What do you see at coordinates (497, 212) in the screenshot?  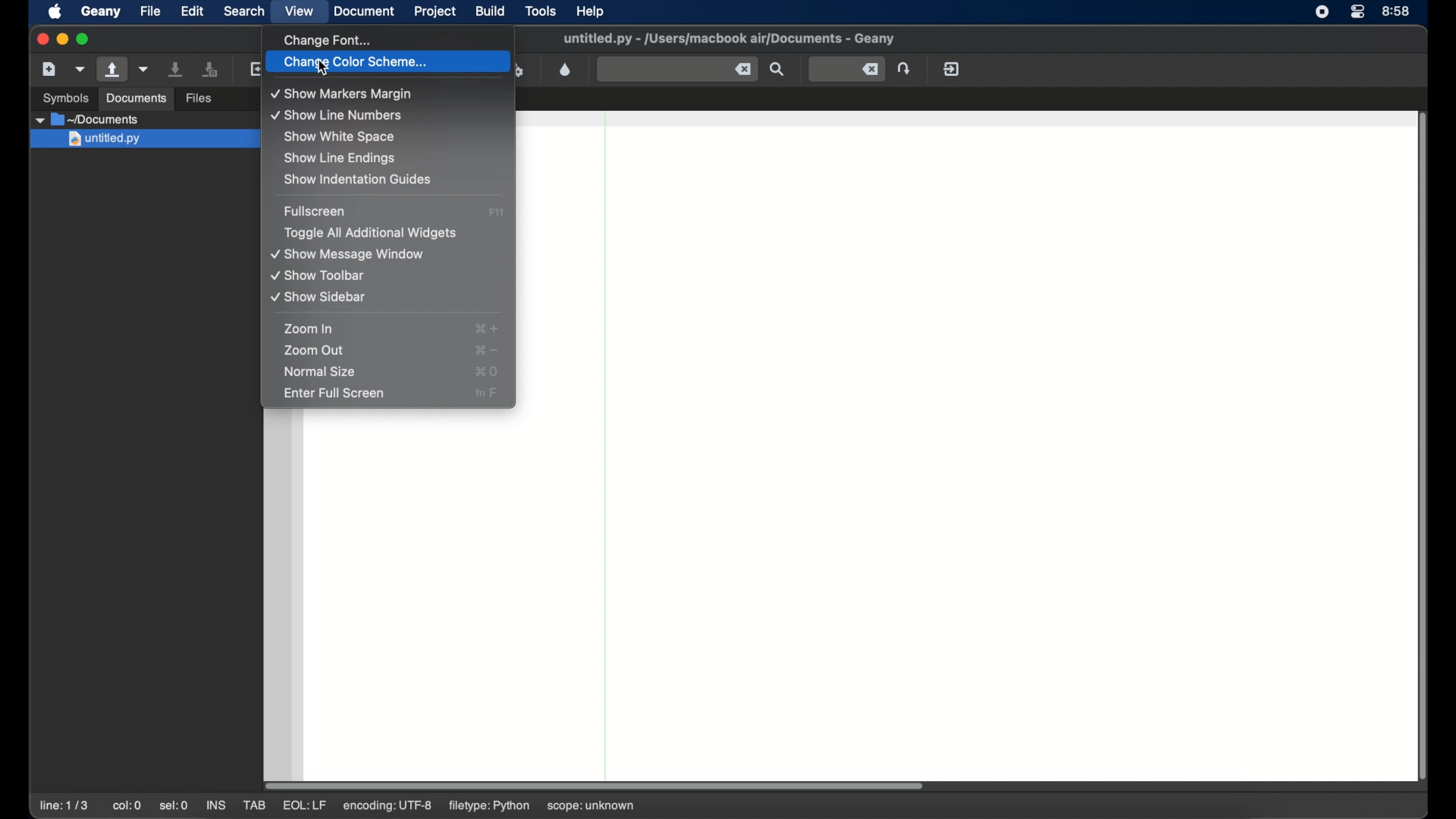 I see `full screen shortcut` at bounding box center [497, 212].